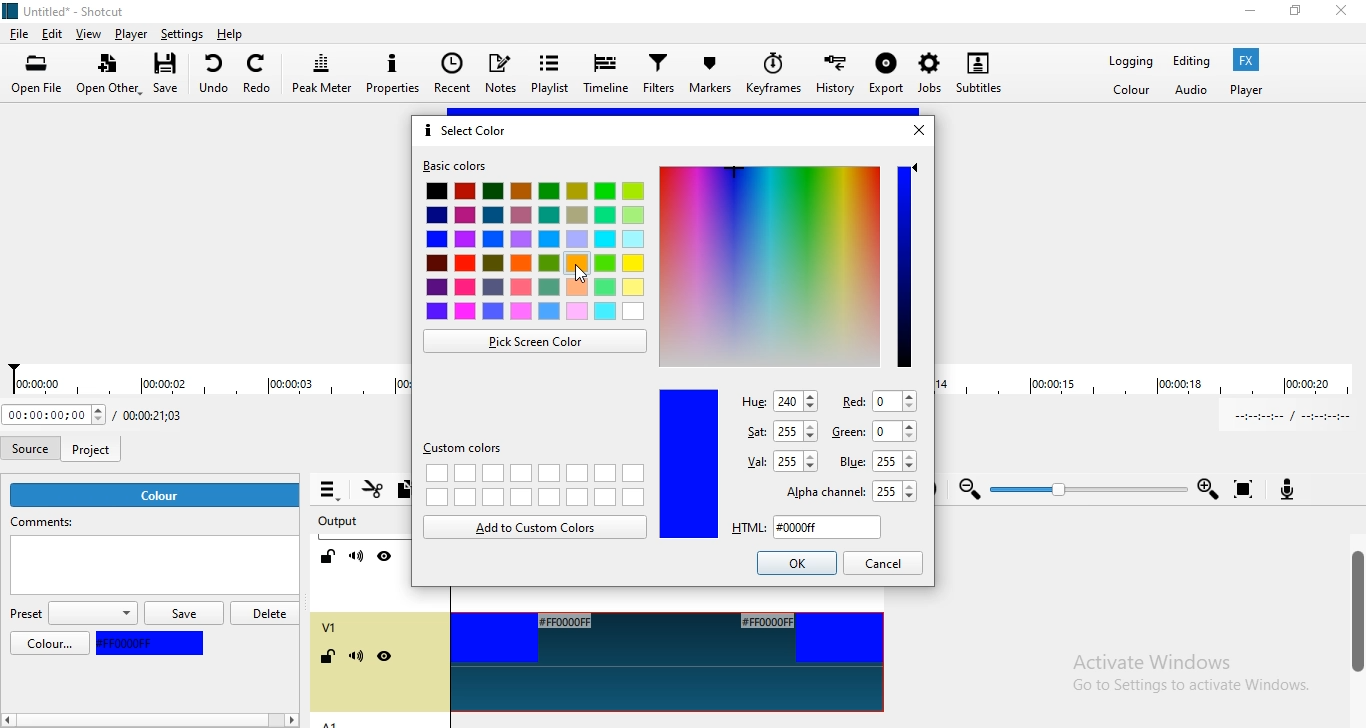 This screenshot has height=728, width=1366. Describe the element at coordinates (774, 78) in the screenshot. I see `Keyframes` at that location.